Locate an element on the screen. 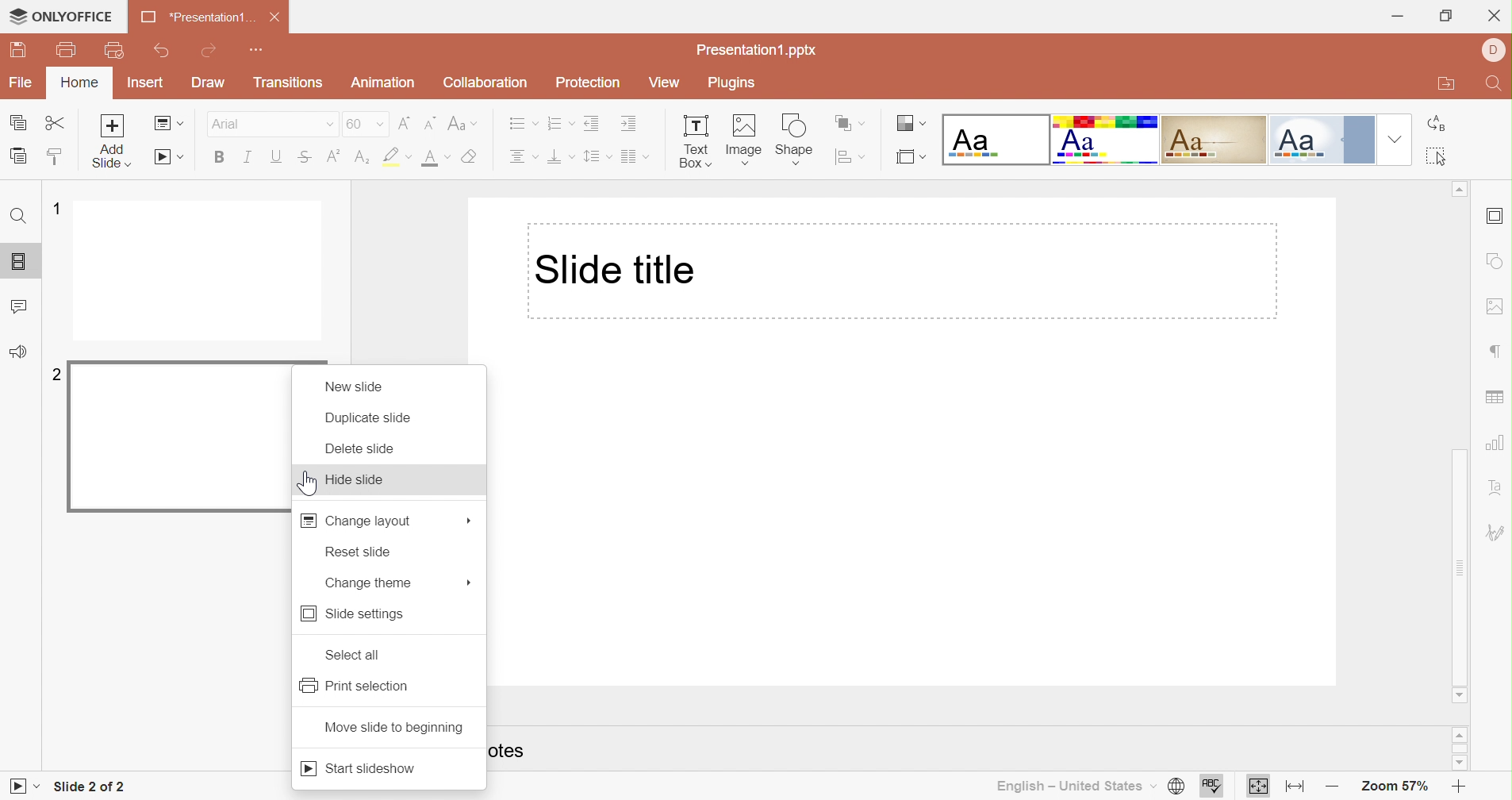 The height and width of the screenshot is (800, 1512). Delete slide is located at coordinates (366, 448).